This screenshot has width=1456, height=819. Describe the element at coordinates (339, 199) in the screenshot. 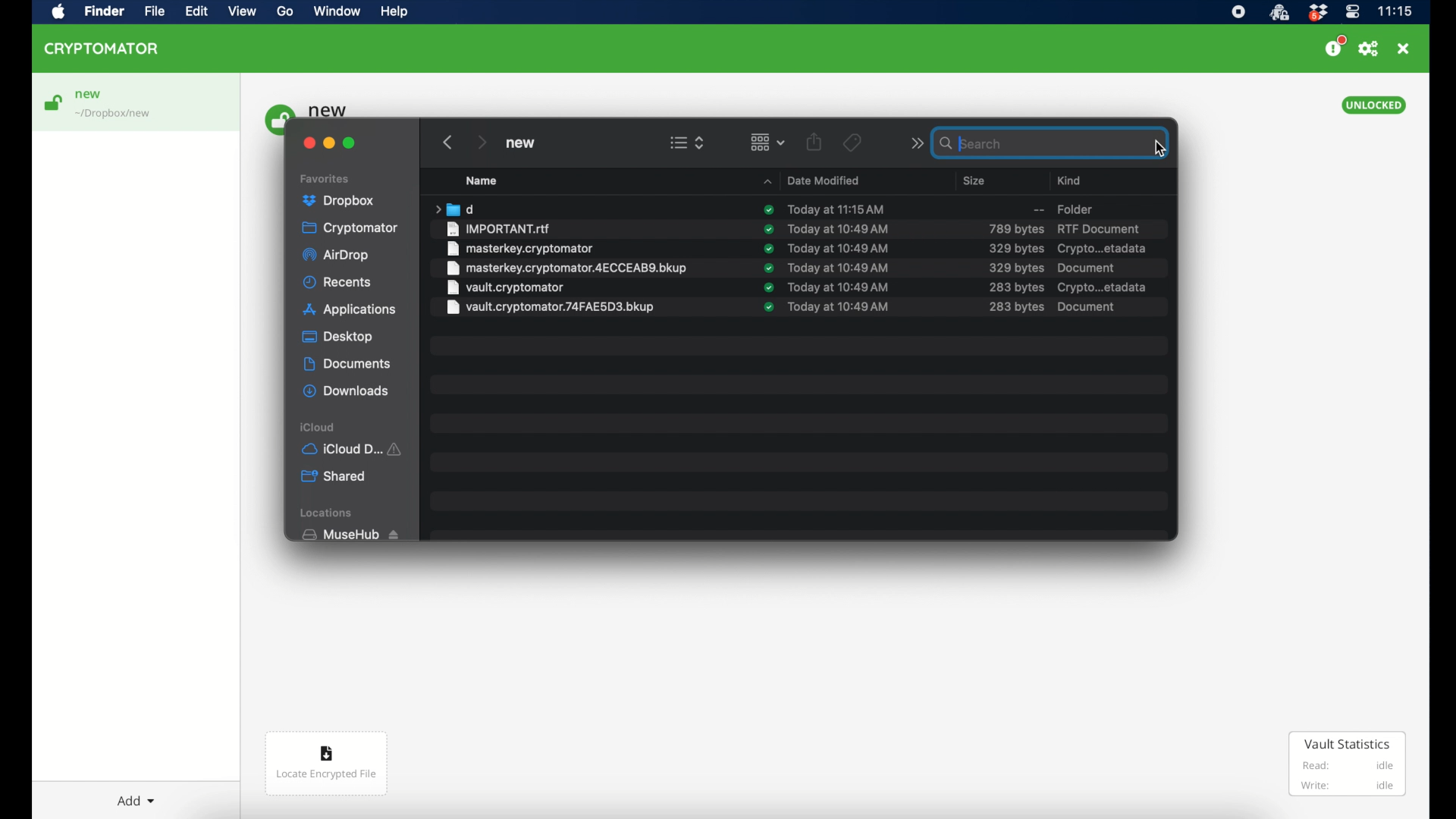

I see `dropbox` at that location.